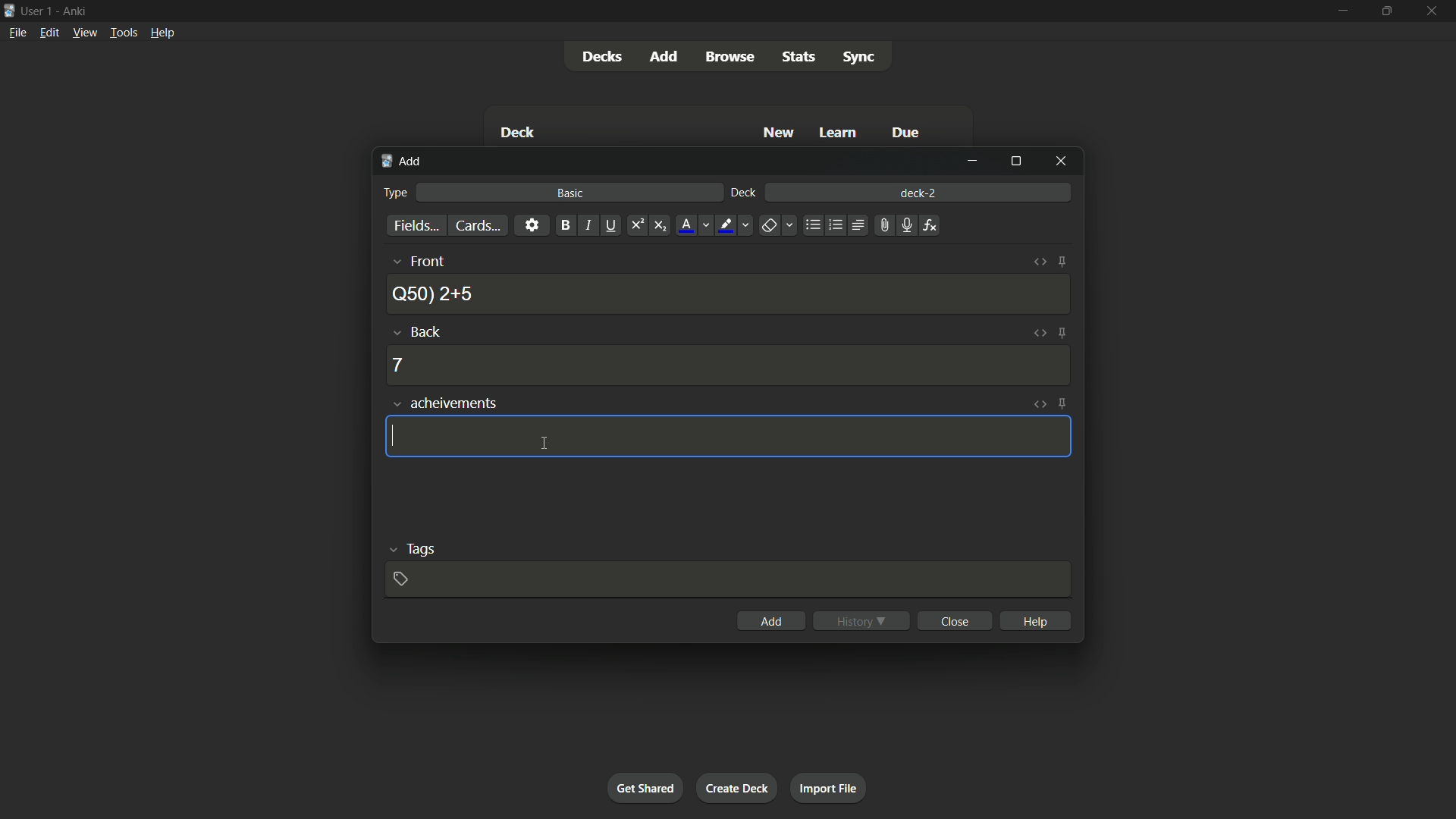 Image resolution: width=1456 pixels, height=819 pixels. What do you see at coordinates (736, 227) in the screenshot?
I see `text highlight` at bounding box center [736, 227].